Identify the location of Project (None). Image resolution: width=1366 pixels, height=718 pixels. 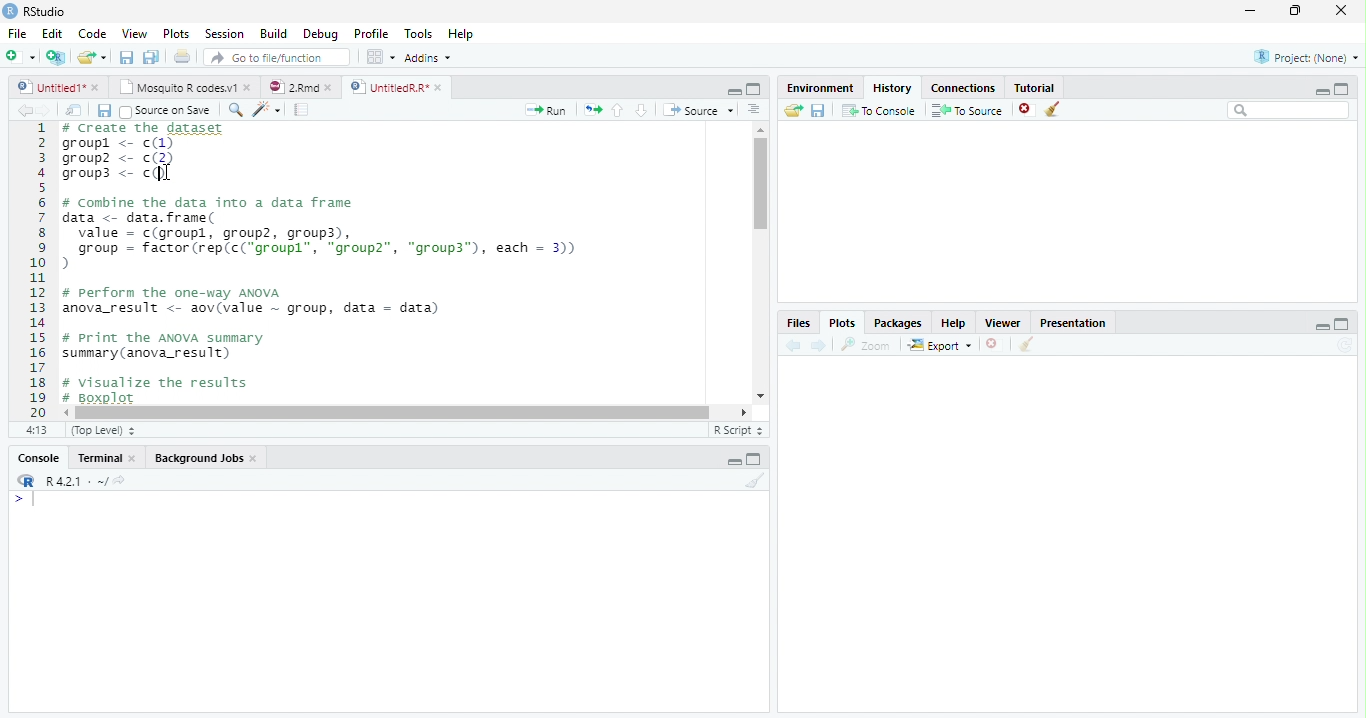
(1305, 57).